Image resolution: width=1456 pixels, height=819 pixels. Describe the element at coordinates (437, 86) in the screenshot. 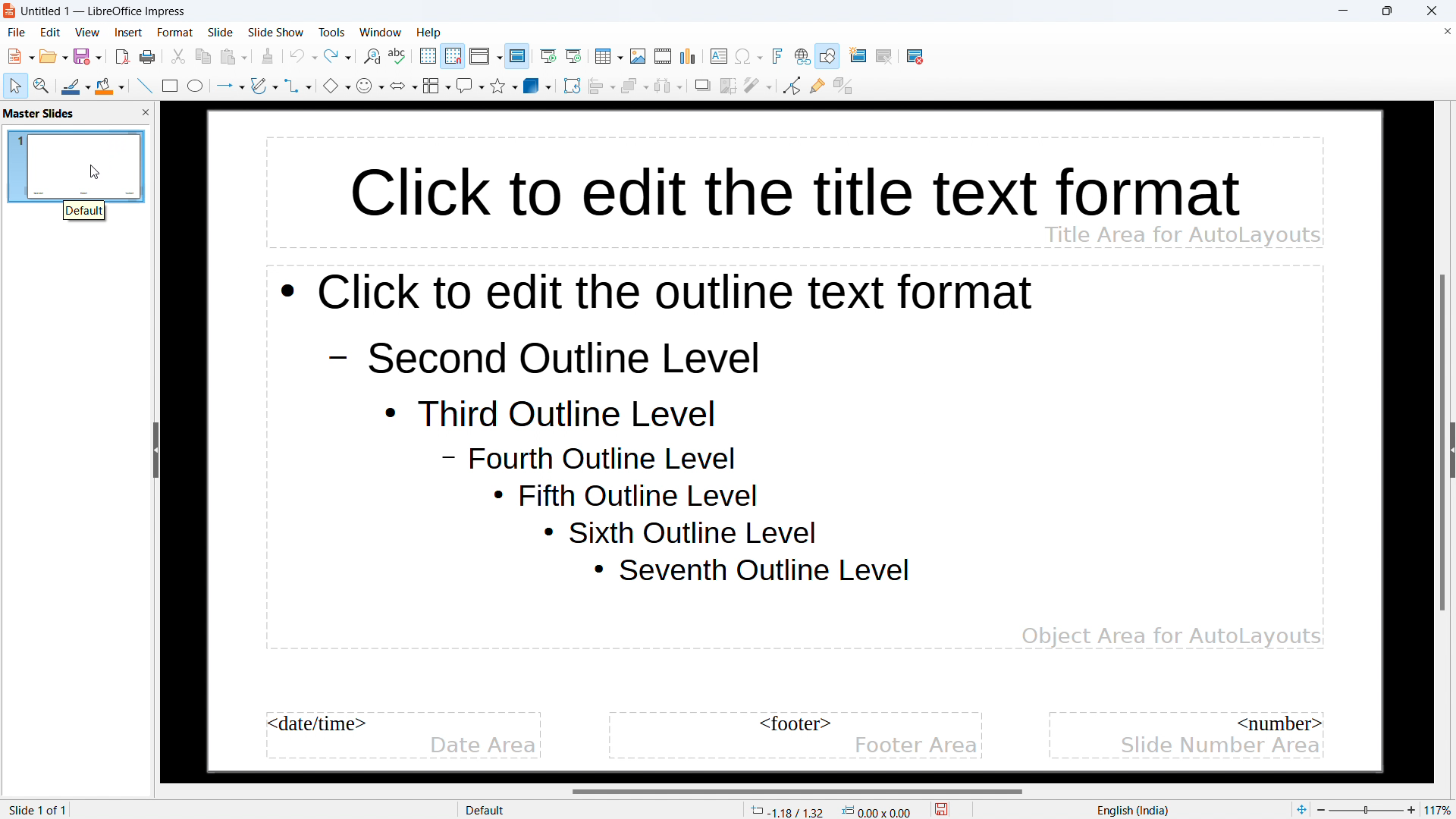

I see `flowchart` at that location.